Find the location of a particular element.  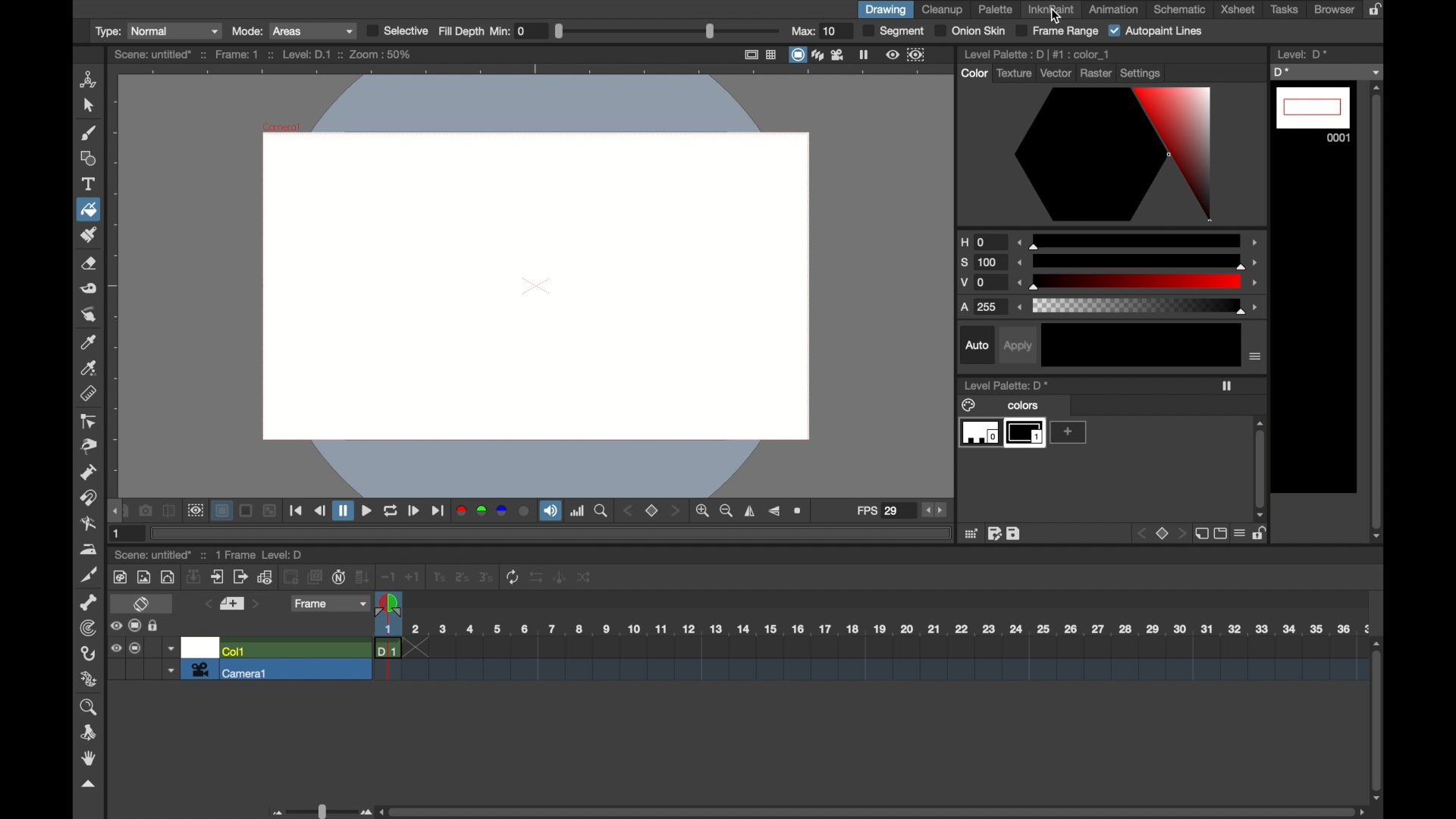

eraser tool is located at coordinates (89, 265).